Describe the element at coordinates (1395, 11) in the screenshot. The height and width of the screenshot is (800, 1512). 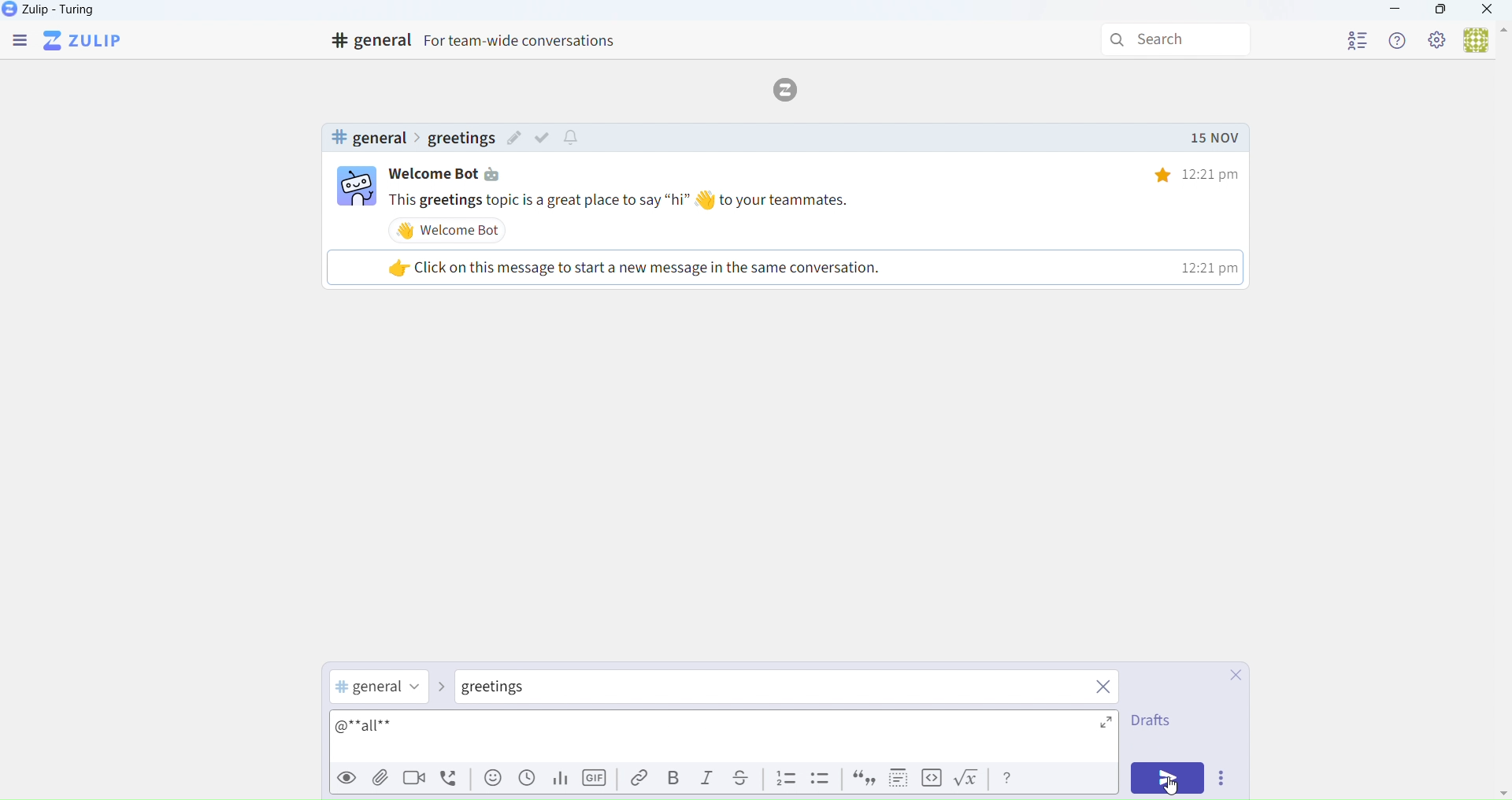
I see `Minimize` at that location.